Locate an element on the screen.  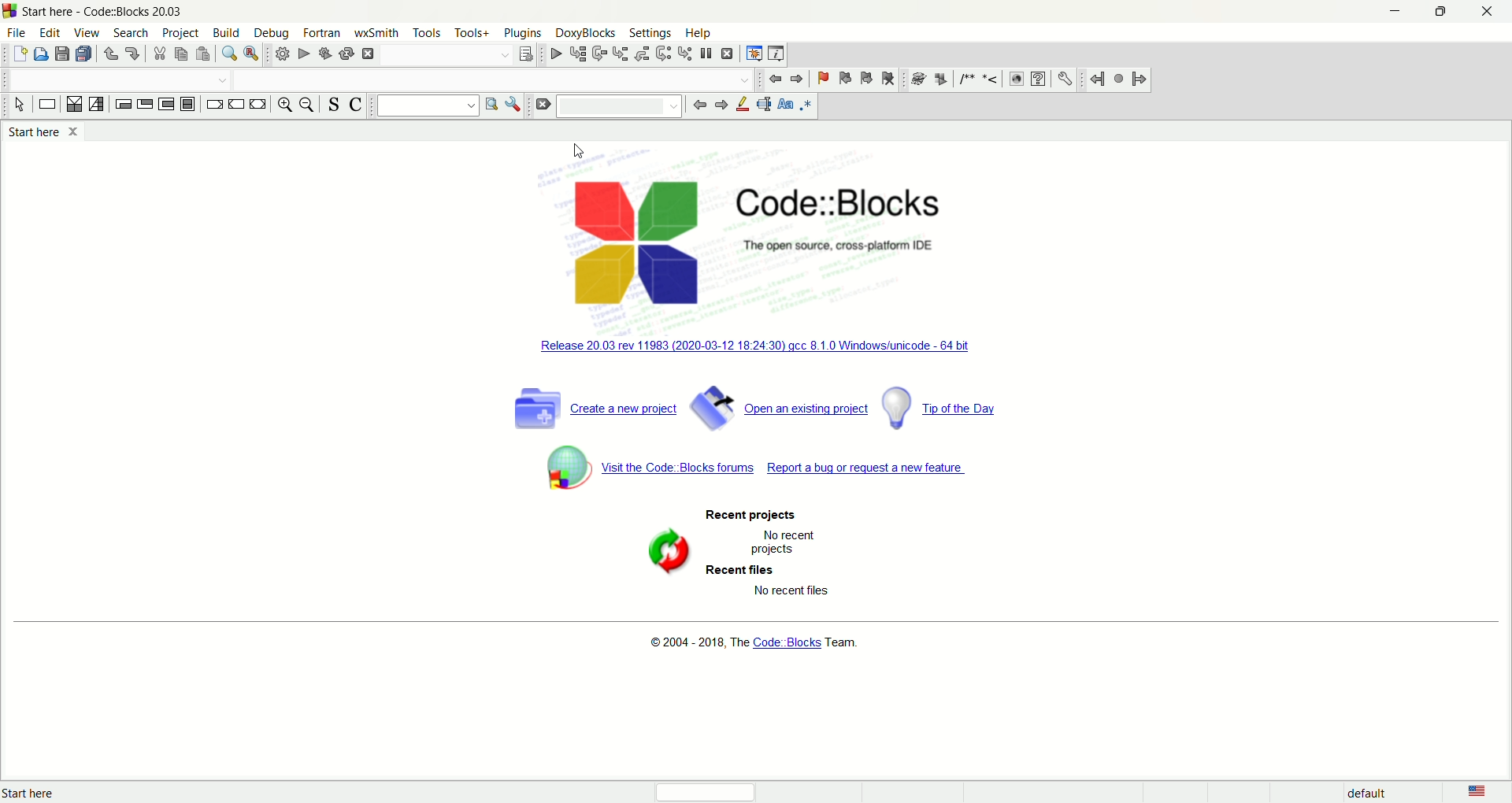
run search is located at coordinates (492, 105).